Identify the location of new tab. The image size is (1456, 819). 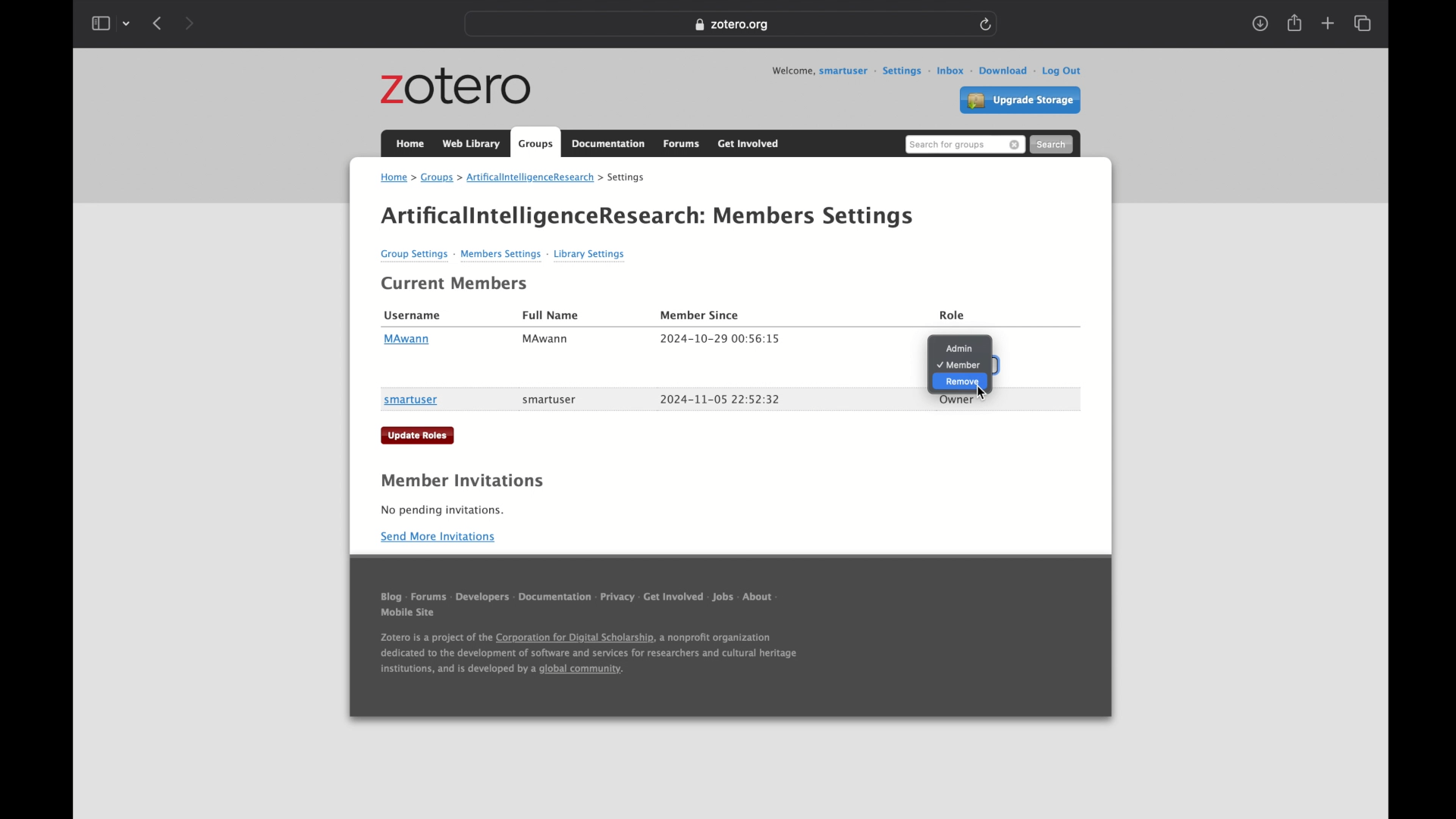
(1328, 23).